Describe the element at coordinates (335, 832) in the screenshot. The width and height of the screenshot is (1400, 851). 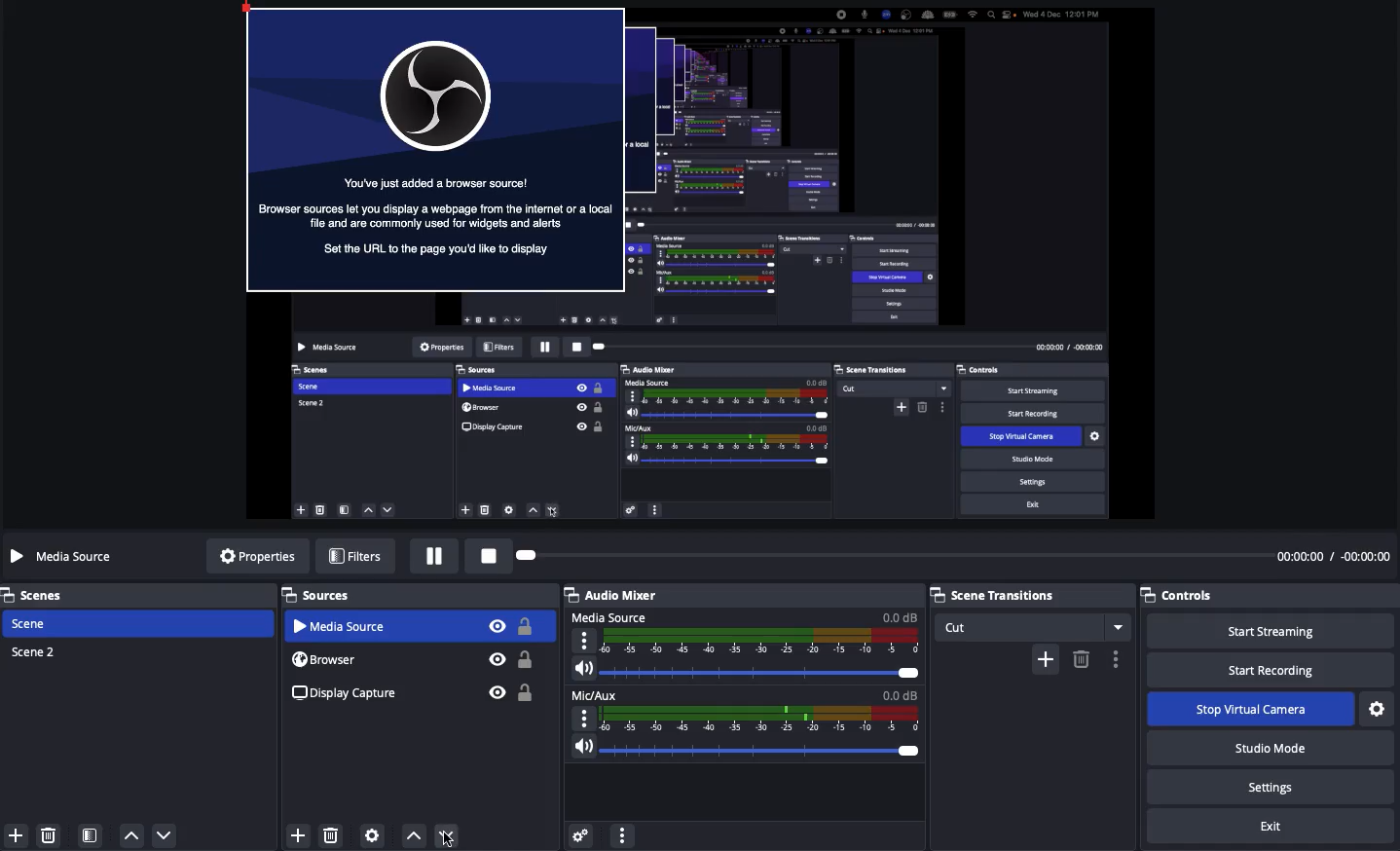
I see `Delete` at that location.